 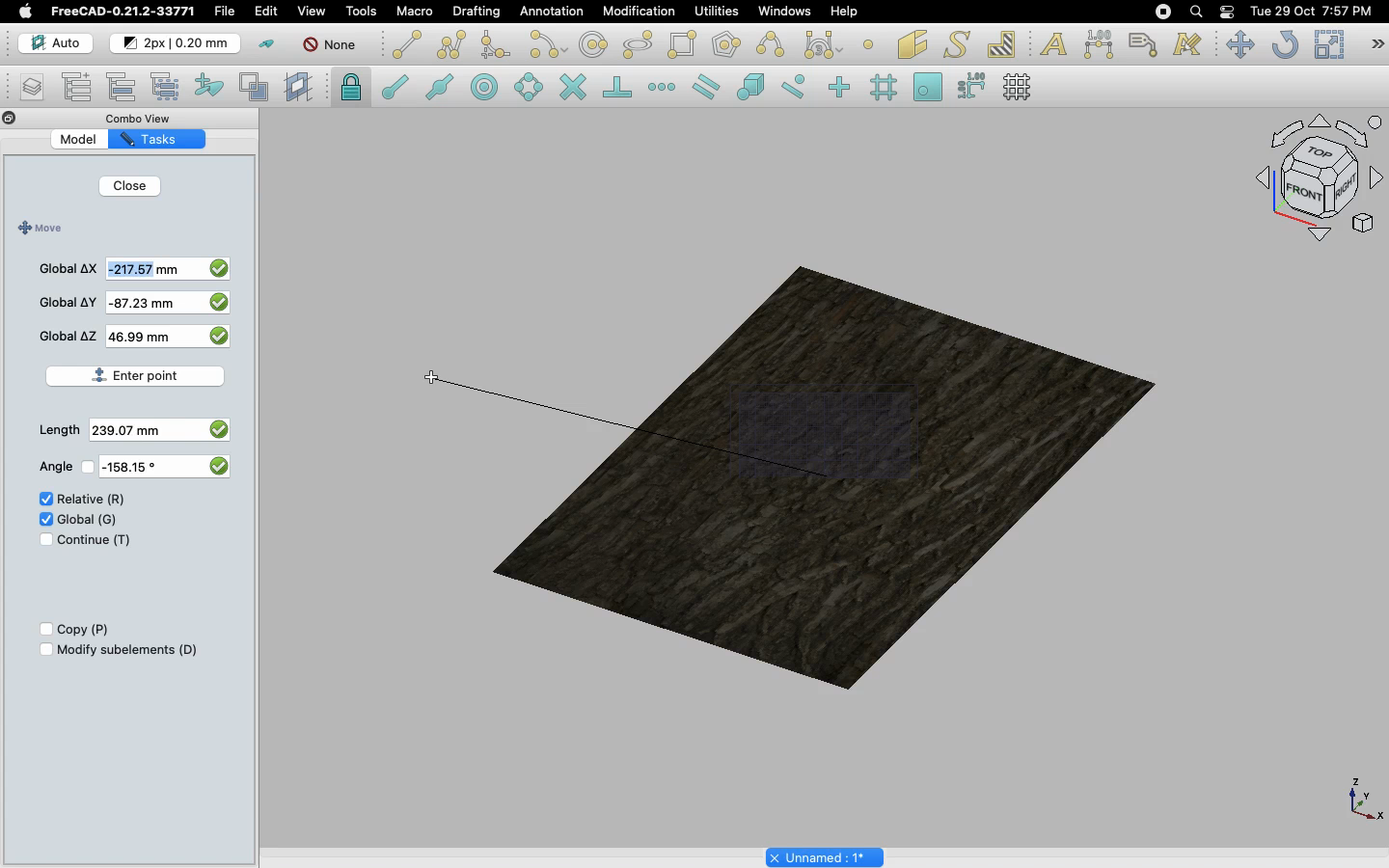 I want to click on Polygon, so click(x=728, y=47).